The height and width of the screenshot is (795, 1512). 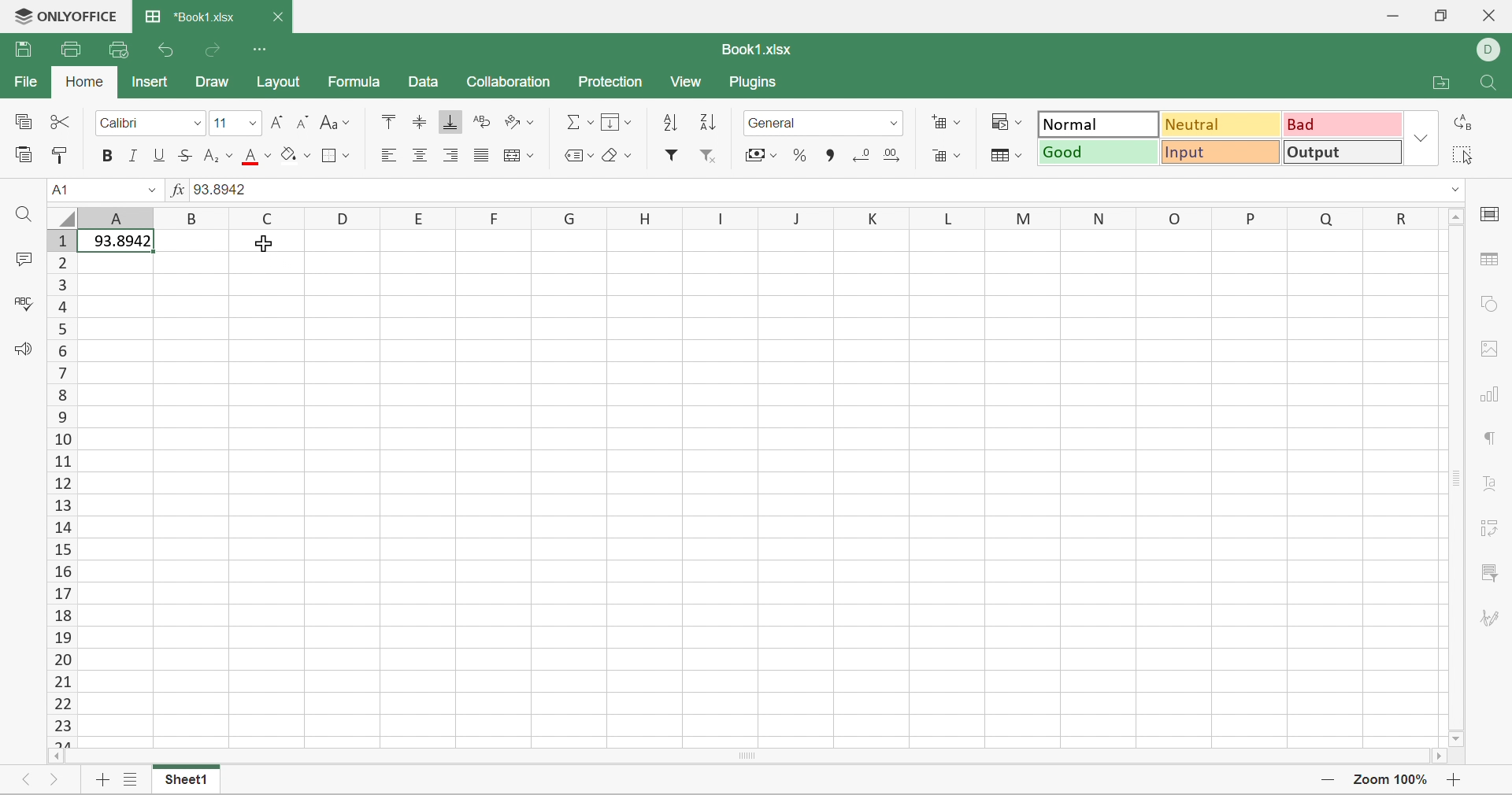 I want to click on Add sheet, so click(x=98, y=782).